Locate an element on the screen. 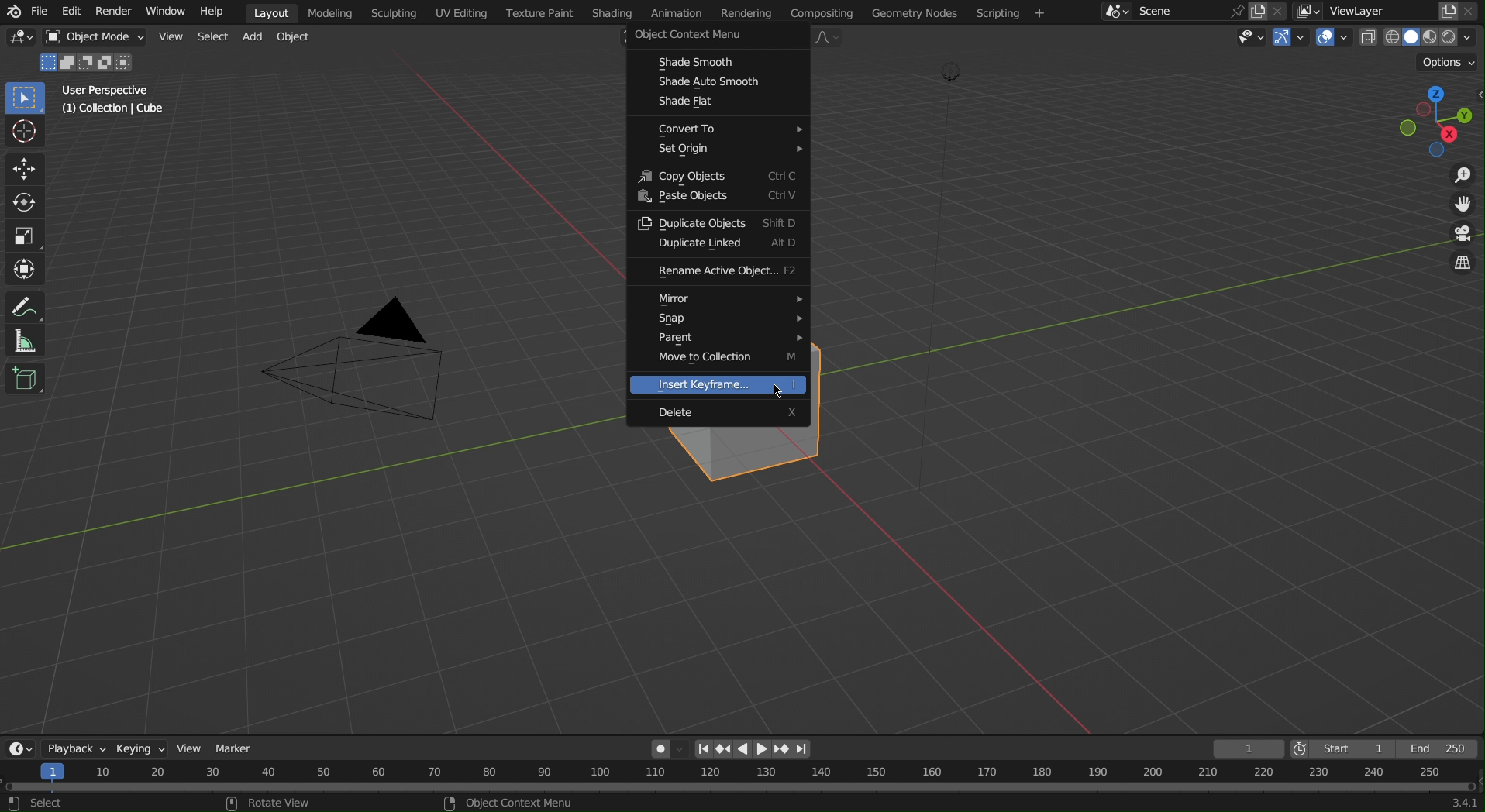  select is located at coordinates (45, 61).